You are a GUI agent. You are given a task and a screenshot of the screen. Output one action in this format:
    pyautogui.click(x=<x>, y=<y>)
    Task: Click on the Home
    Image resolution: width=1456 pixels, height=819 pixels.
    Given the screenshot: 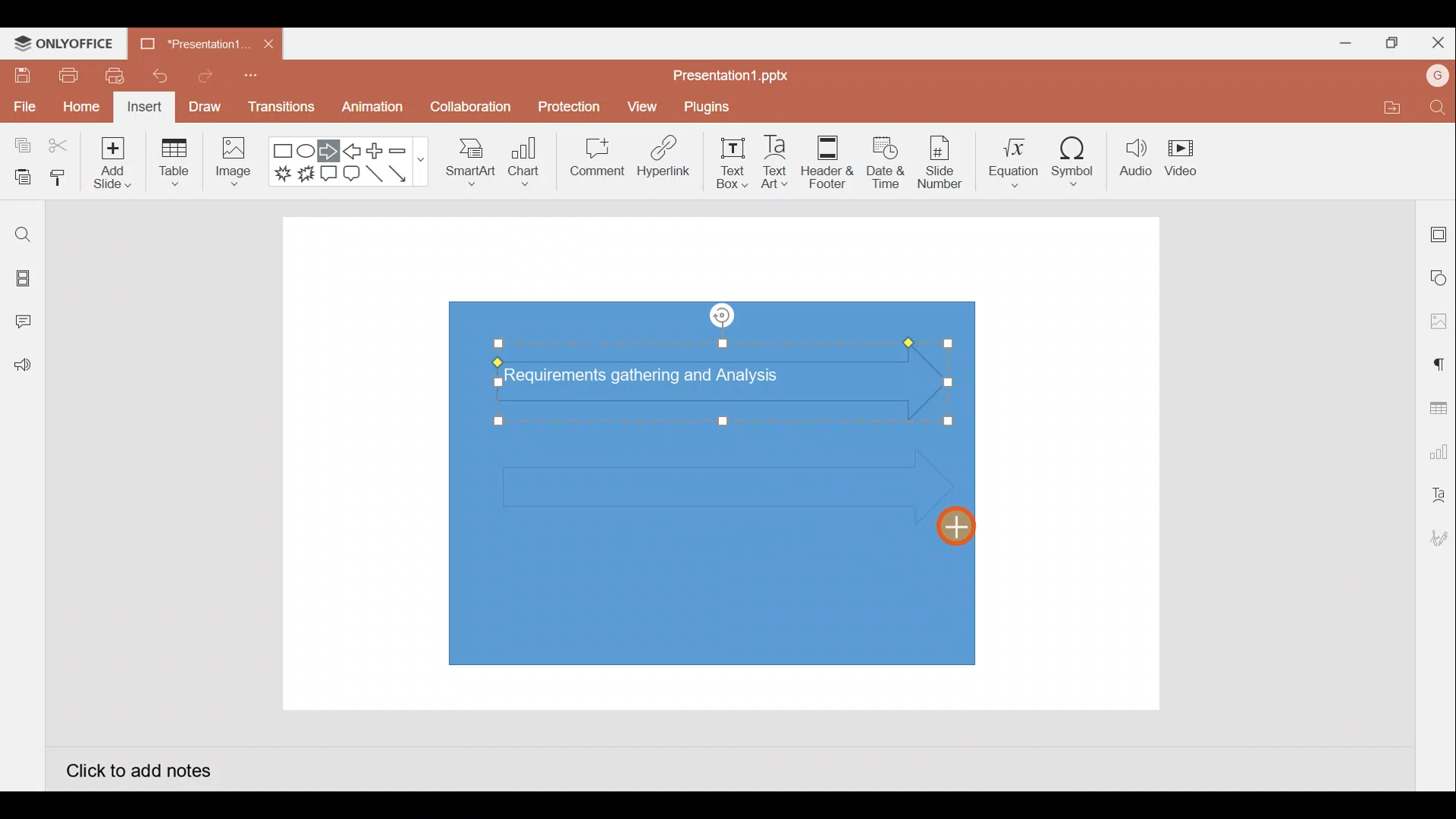 What is the action you would take?
    pyautogui.click(x=81, y=108)
    